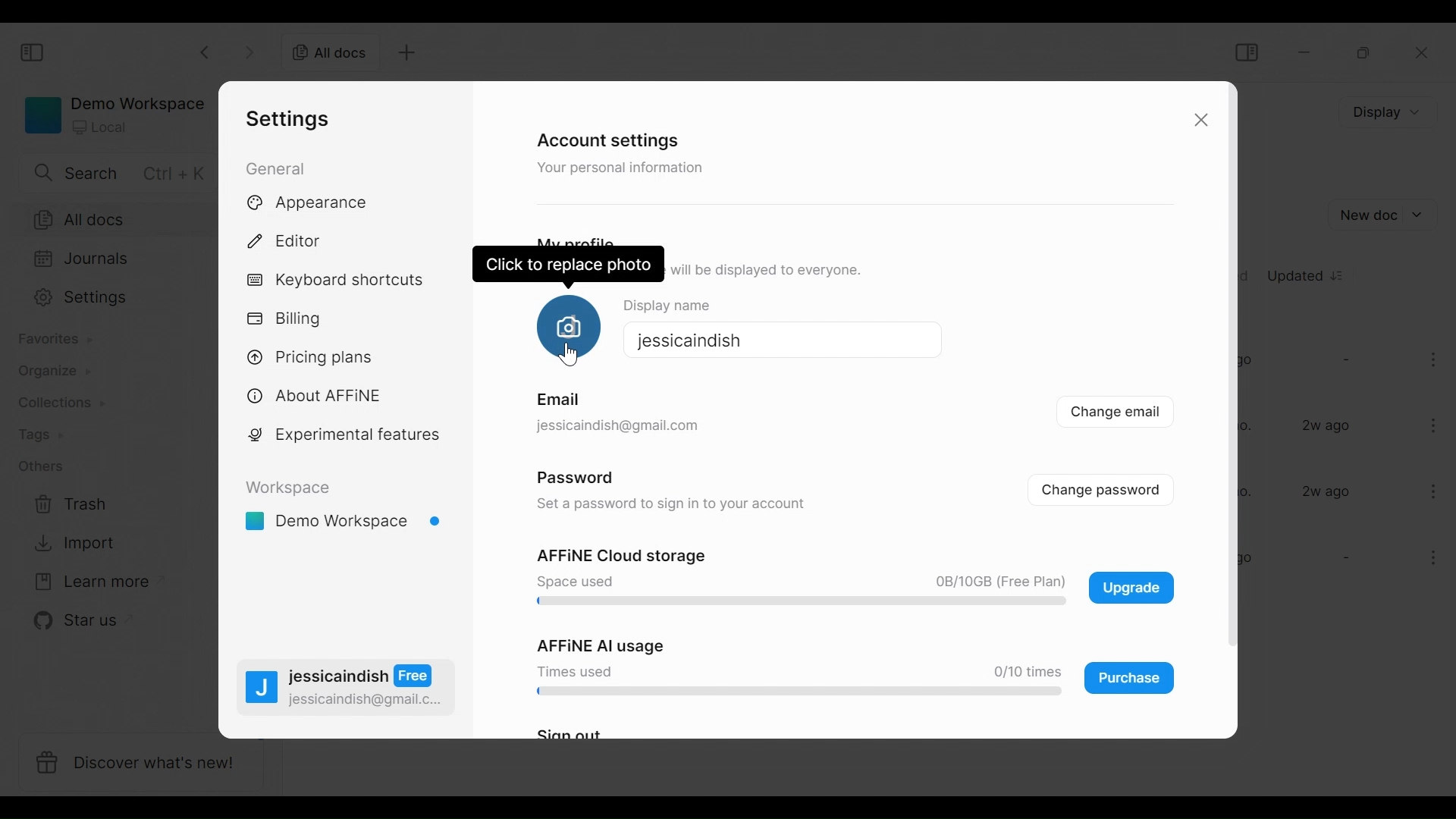  I want to click on Go back, so click(206, 52).